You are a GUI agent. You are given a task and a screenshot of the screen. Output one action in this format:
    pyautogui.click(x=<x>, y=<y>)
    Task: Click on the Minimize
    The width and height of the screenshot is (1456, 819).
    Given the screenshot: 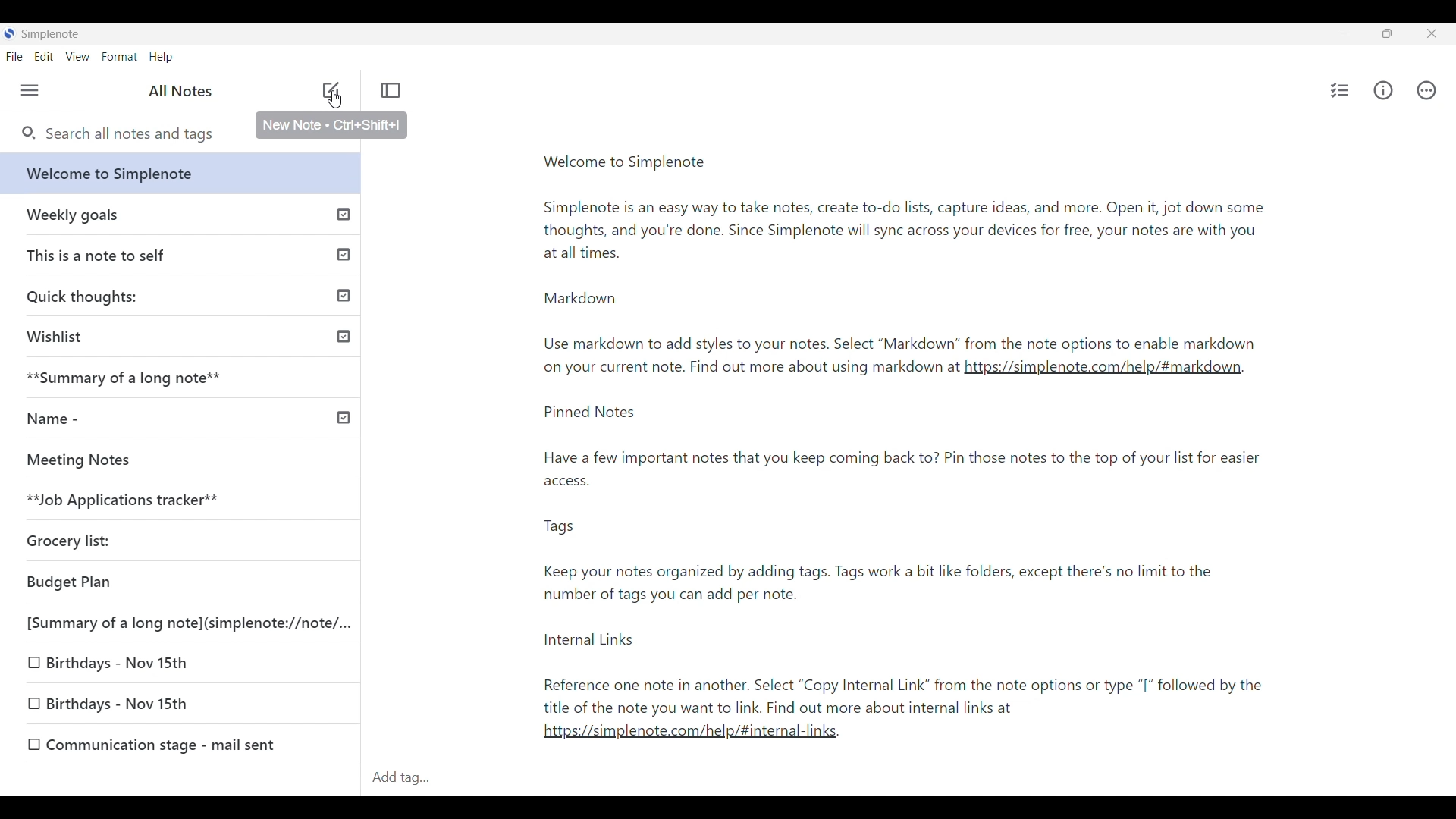 What is the action you would take?
    pyautogui.click(x=1343, y=33)
    